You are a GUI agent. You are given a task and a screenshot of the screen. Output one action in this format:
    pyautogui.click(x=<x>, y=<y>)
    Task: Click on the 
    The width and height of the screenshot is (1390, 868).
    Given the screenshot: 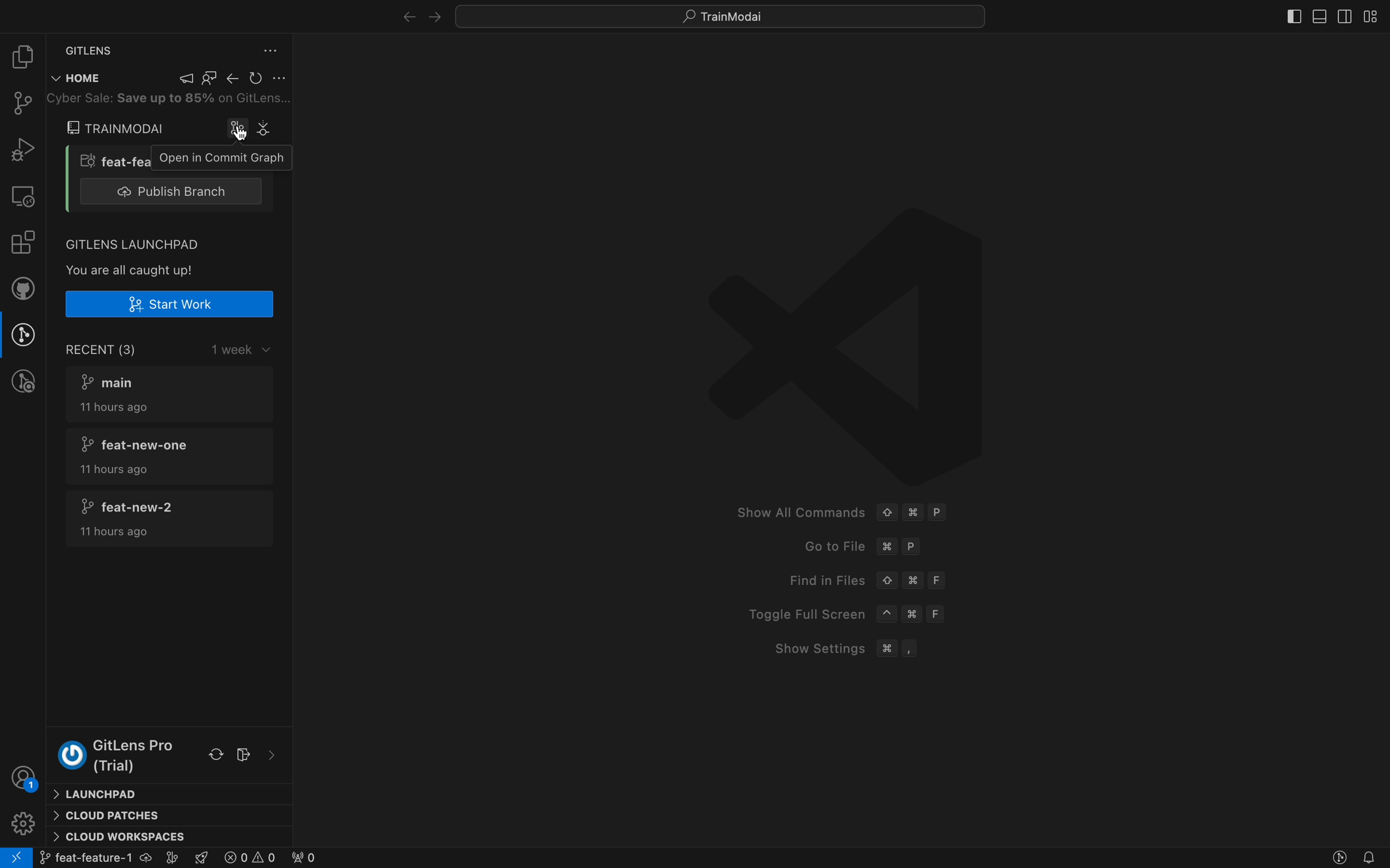 What is the action you would take?
    pyautogui.click(x=256, y=77)
    